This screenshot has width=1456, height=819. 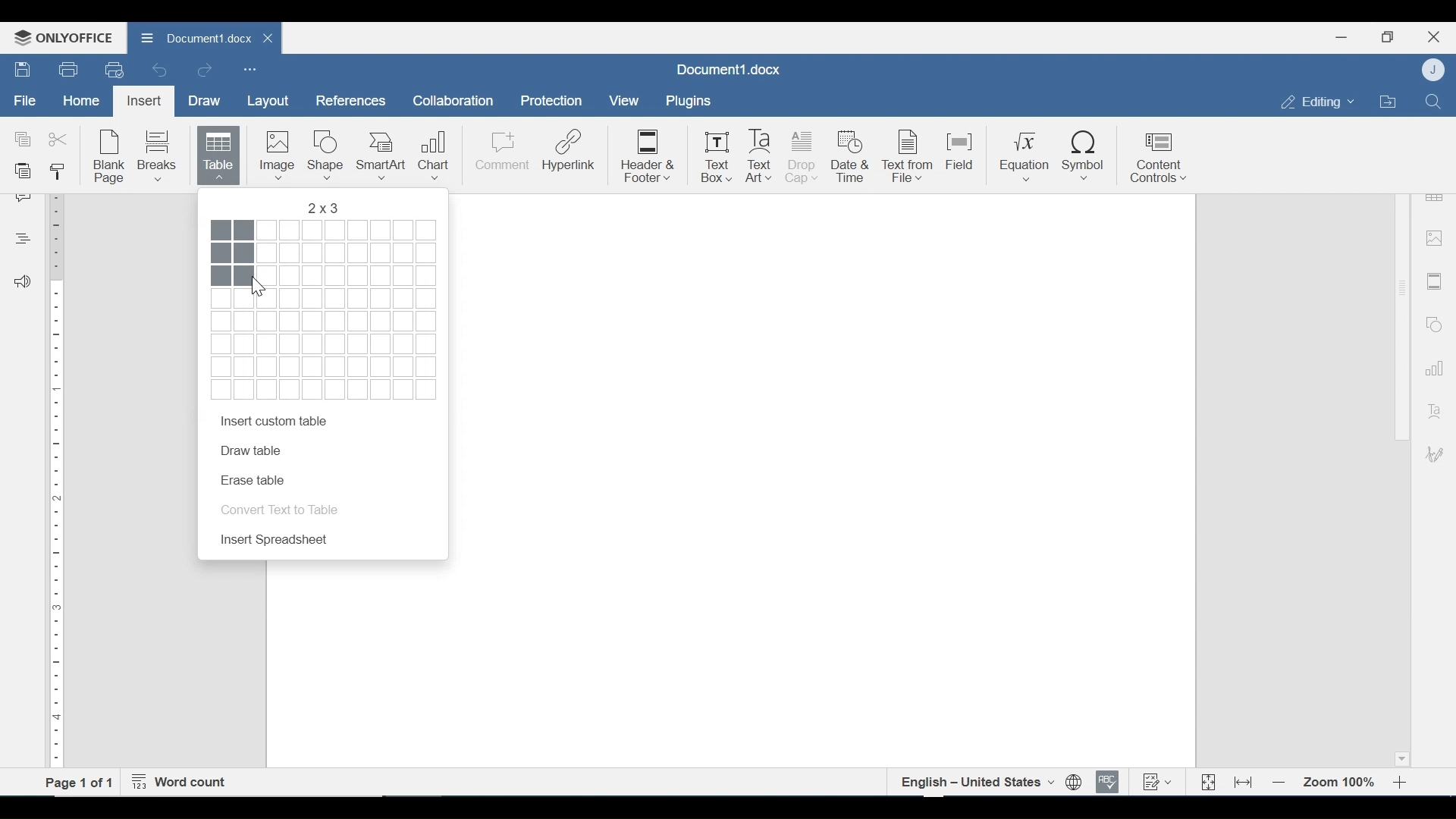 I want to click on Insert custom table, so click(x=275, y=422).